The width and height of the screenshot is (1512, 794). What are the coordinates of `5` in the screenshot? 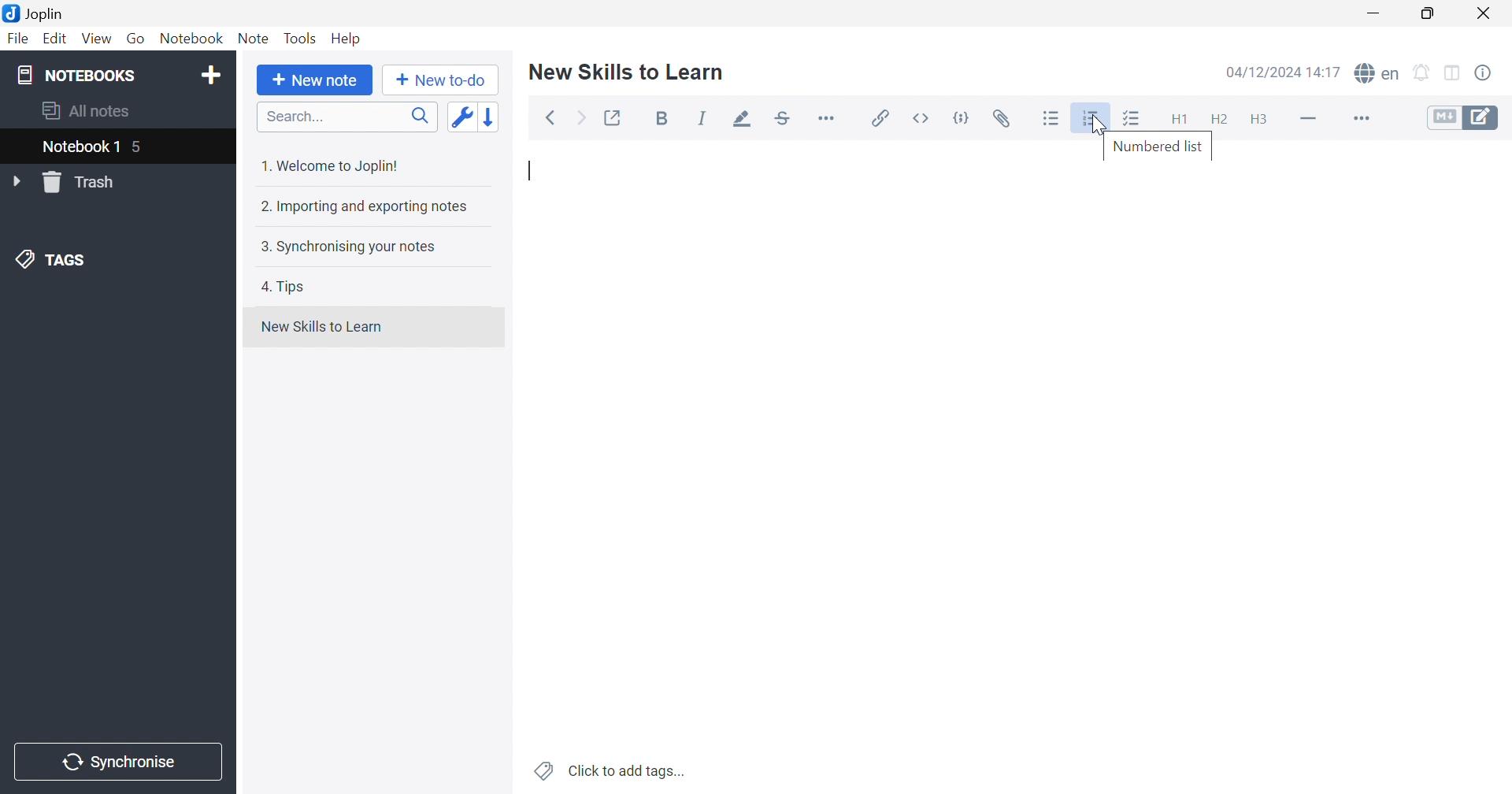 It's located at (139, 149).